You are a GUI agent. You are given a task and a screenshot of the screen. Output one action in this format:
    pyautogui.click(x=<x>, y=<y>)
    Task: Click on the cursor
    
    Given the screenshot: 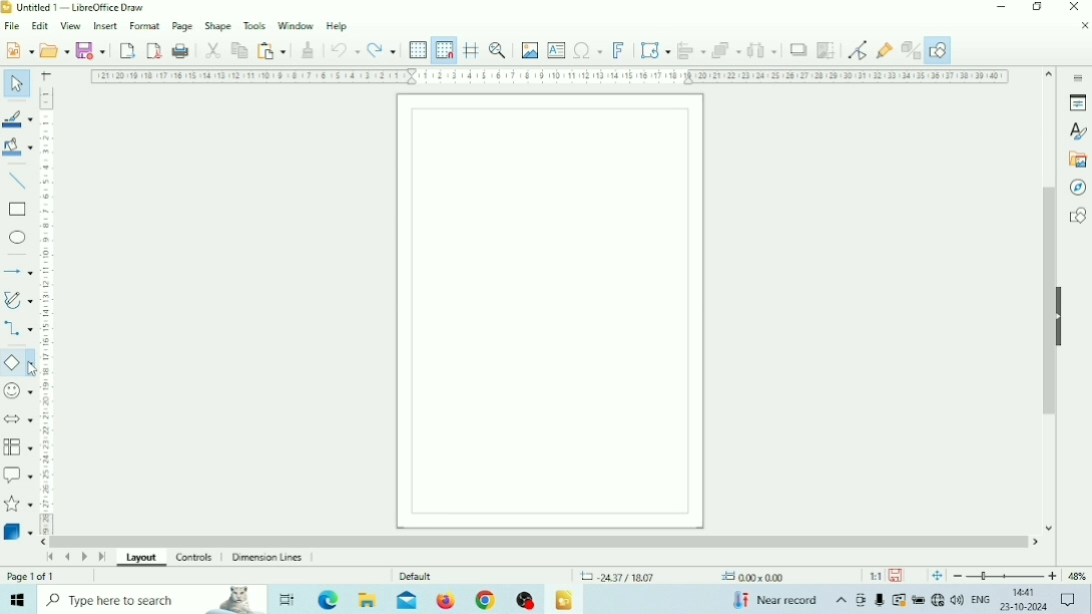 What is the action you would take?
    pyautogui.click(x=34, y=369)
    